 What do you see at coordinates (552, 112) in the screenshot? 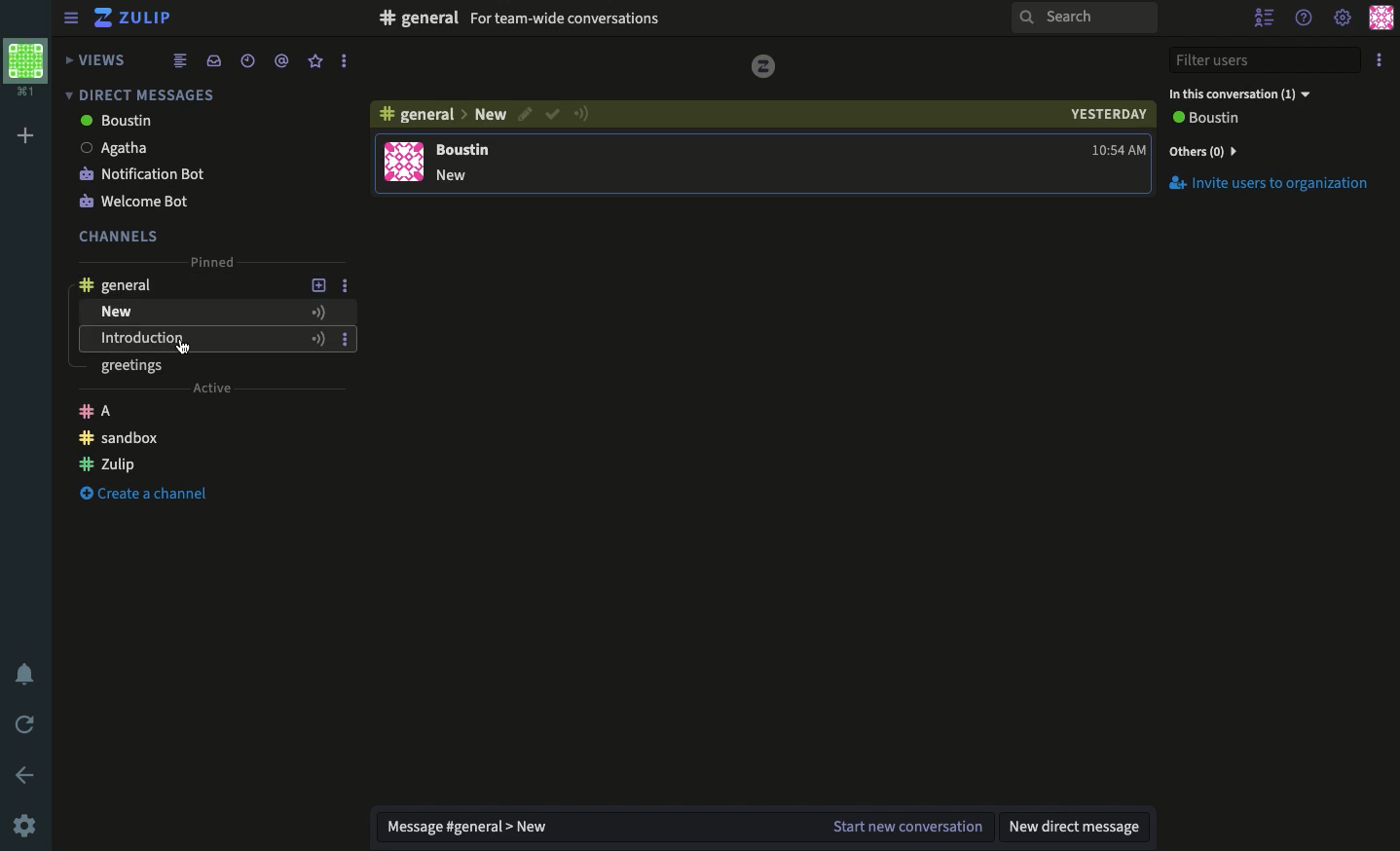
I see `Resolved` at bounding box center [552, 112].